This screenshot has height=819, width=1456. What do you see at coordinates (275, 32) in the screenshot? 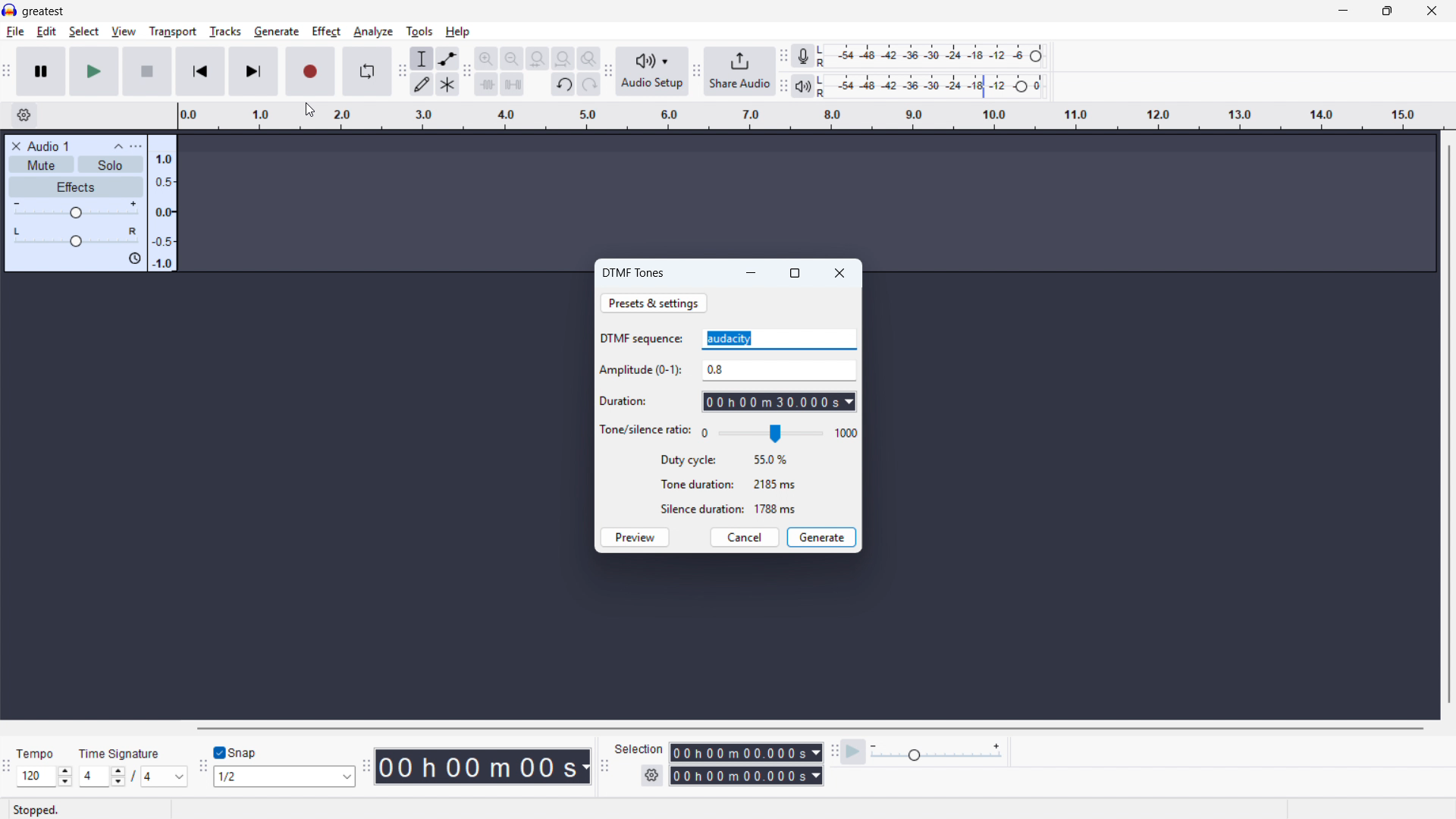
I see `generate` at bounding box center [275, 32].